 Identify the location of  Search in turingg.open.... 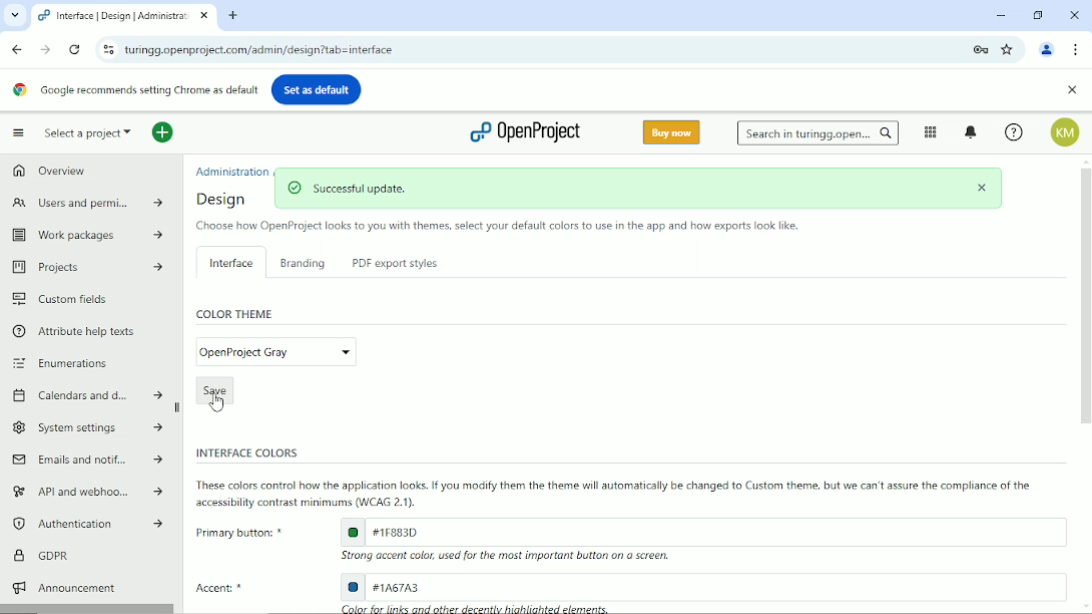
(818, 133).